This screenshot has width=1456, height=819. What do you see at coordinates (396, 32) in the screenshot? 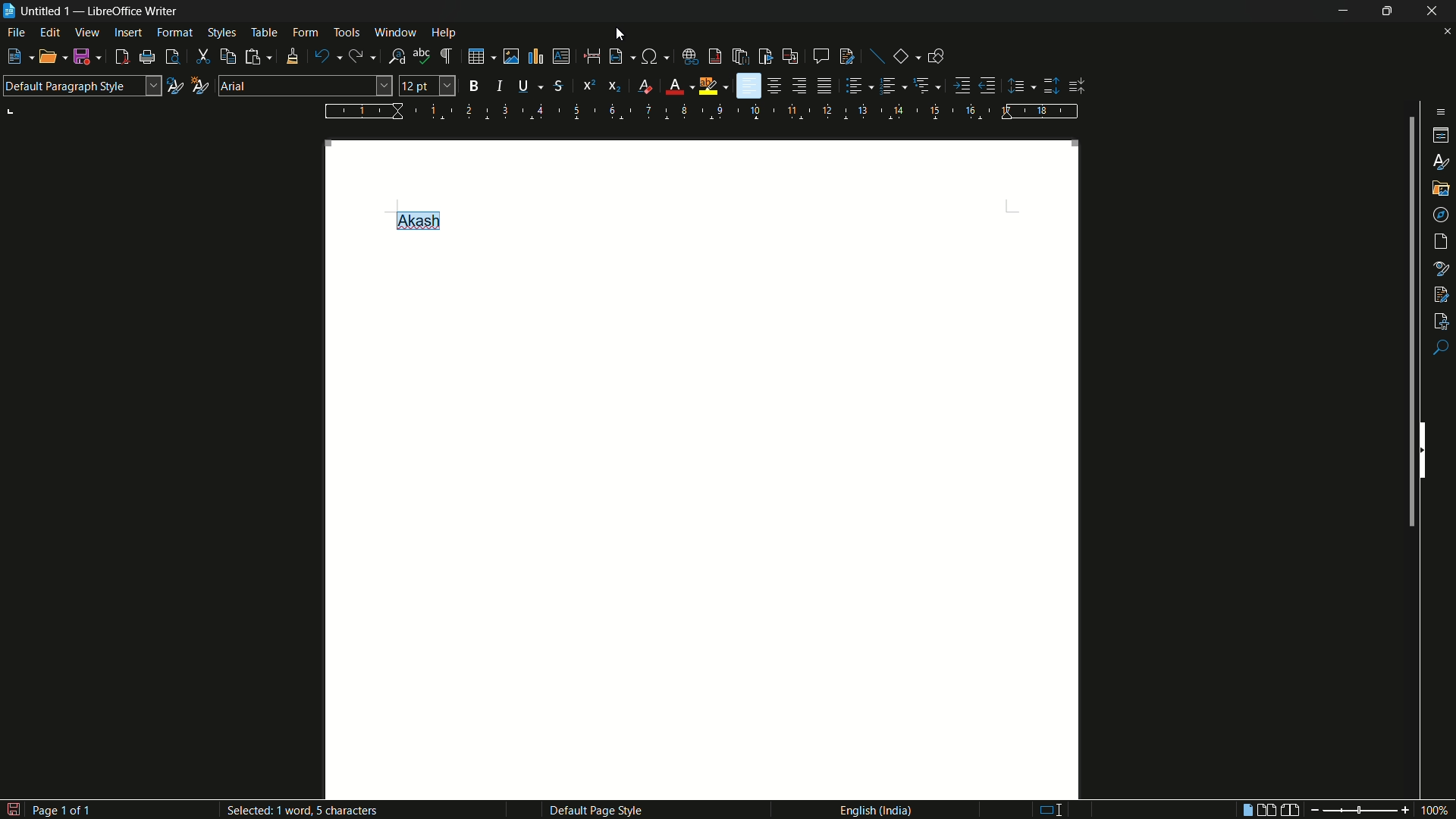
I see `window menu` at bounding box center [396, 32].